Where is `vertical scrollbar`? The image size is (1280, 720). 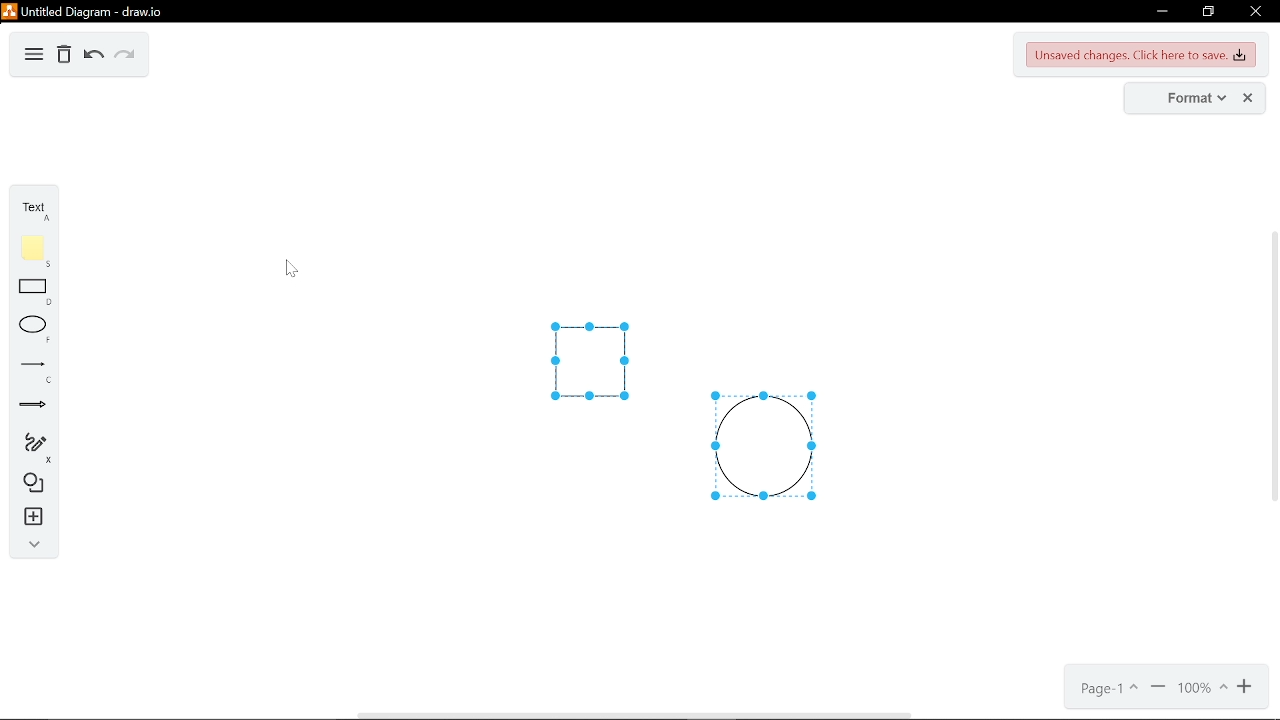 vertical scrollbar is located at coordinates (1272, 364).